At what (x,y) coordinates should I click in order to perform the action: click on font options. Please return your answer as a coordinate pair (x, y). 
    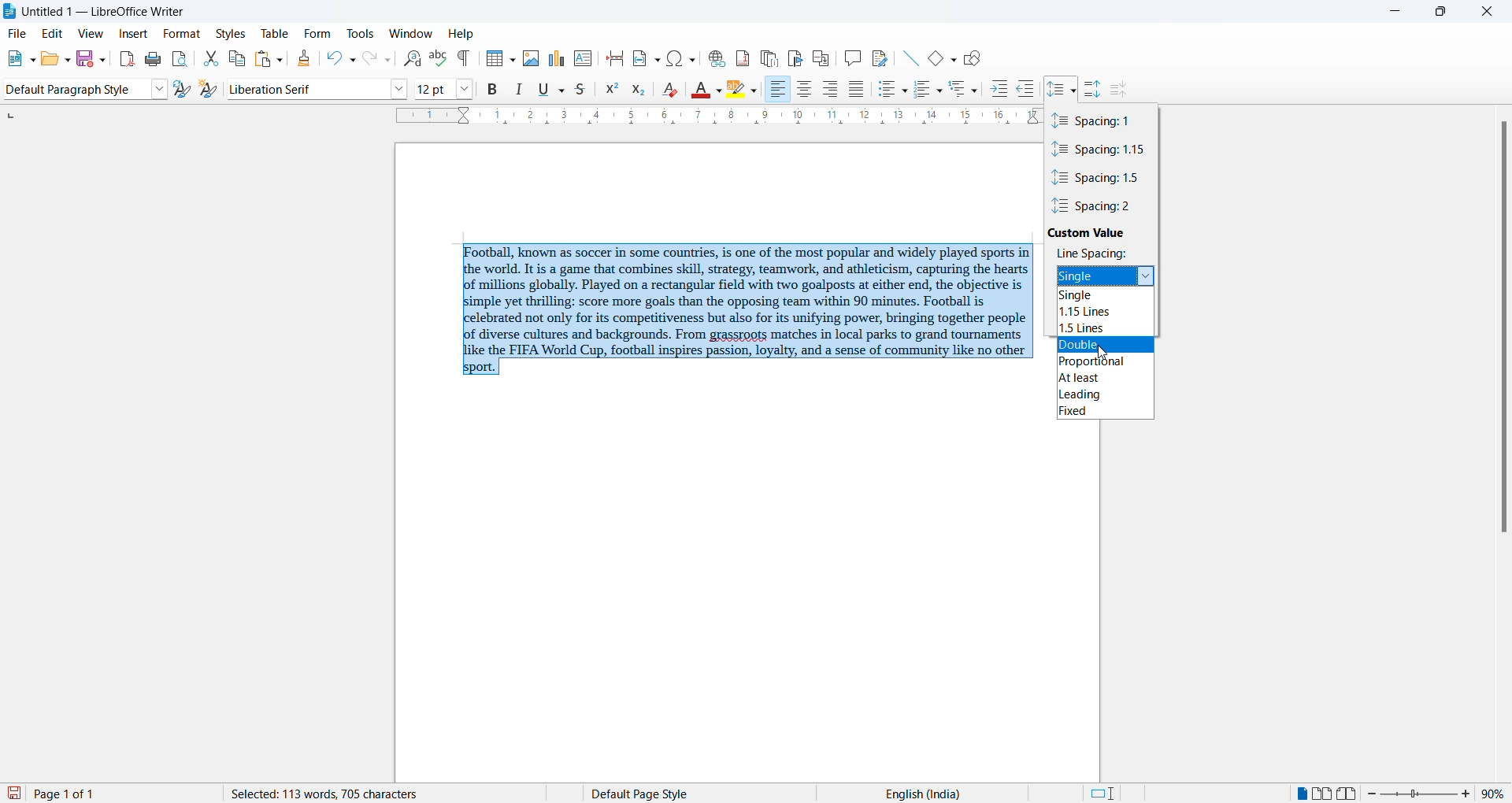
    Looking at the image, I should click on (399, 88).